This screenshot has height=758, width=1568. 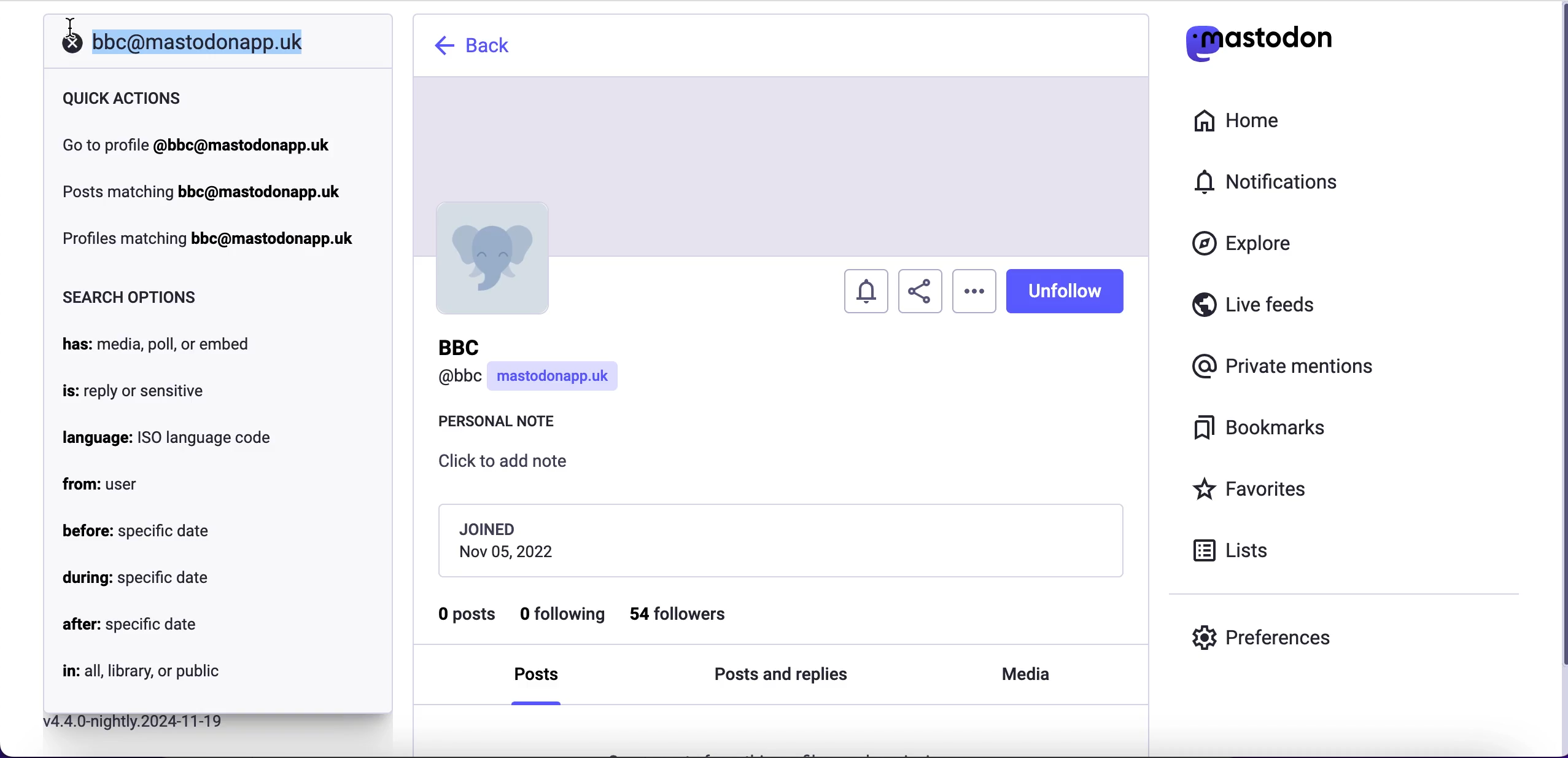 What do you see at coordinates (139, 673) in the screenshot?
I see `in` at bounding box center [139, 673].